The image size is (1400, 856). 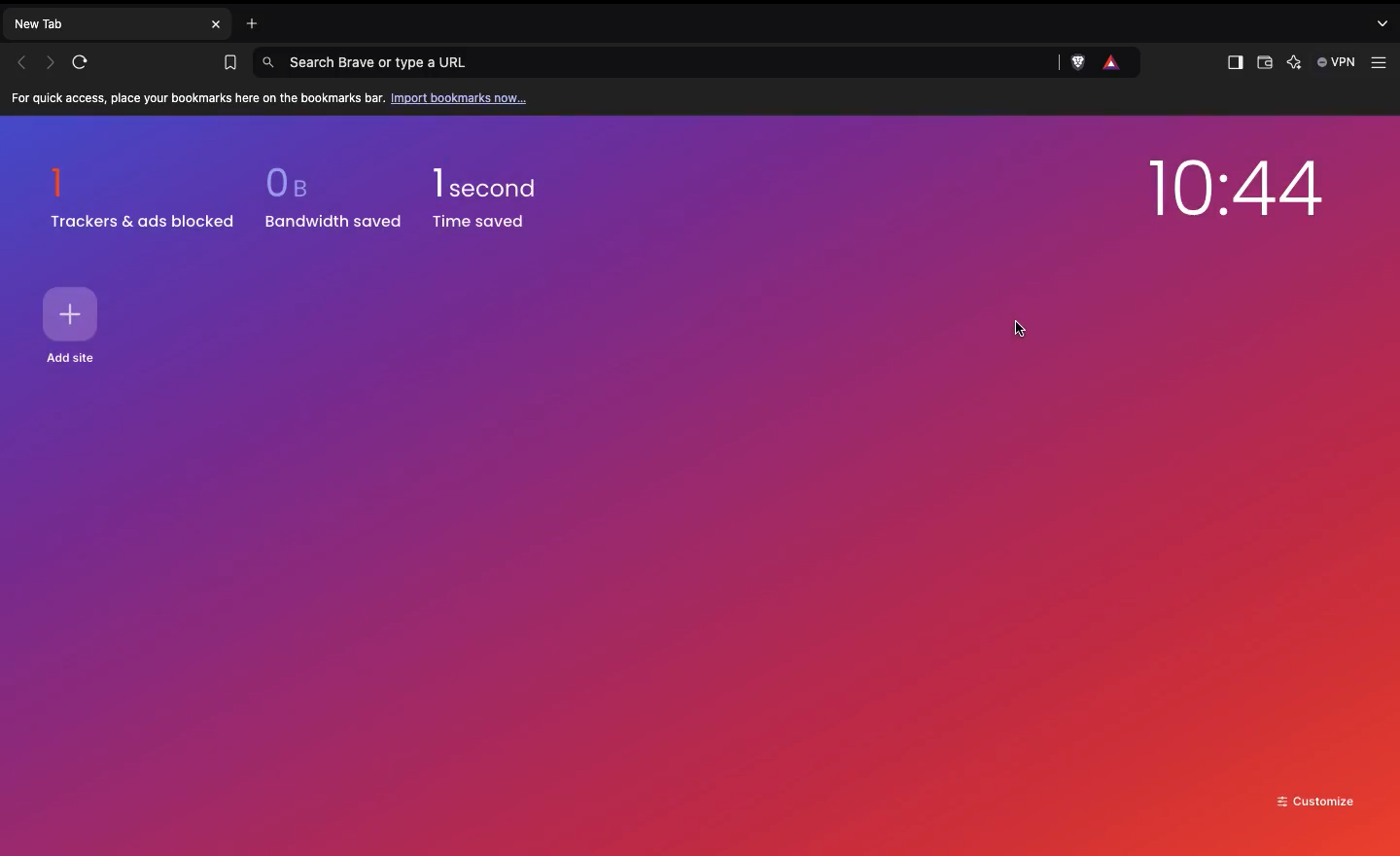 What do you see at coordinates (658, 61) in the screenshot?
I see `Search Brave or type a URL` at bounding box center [658, 61].